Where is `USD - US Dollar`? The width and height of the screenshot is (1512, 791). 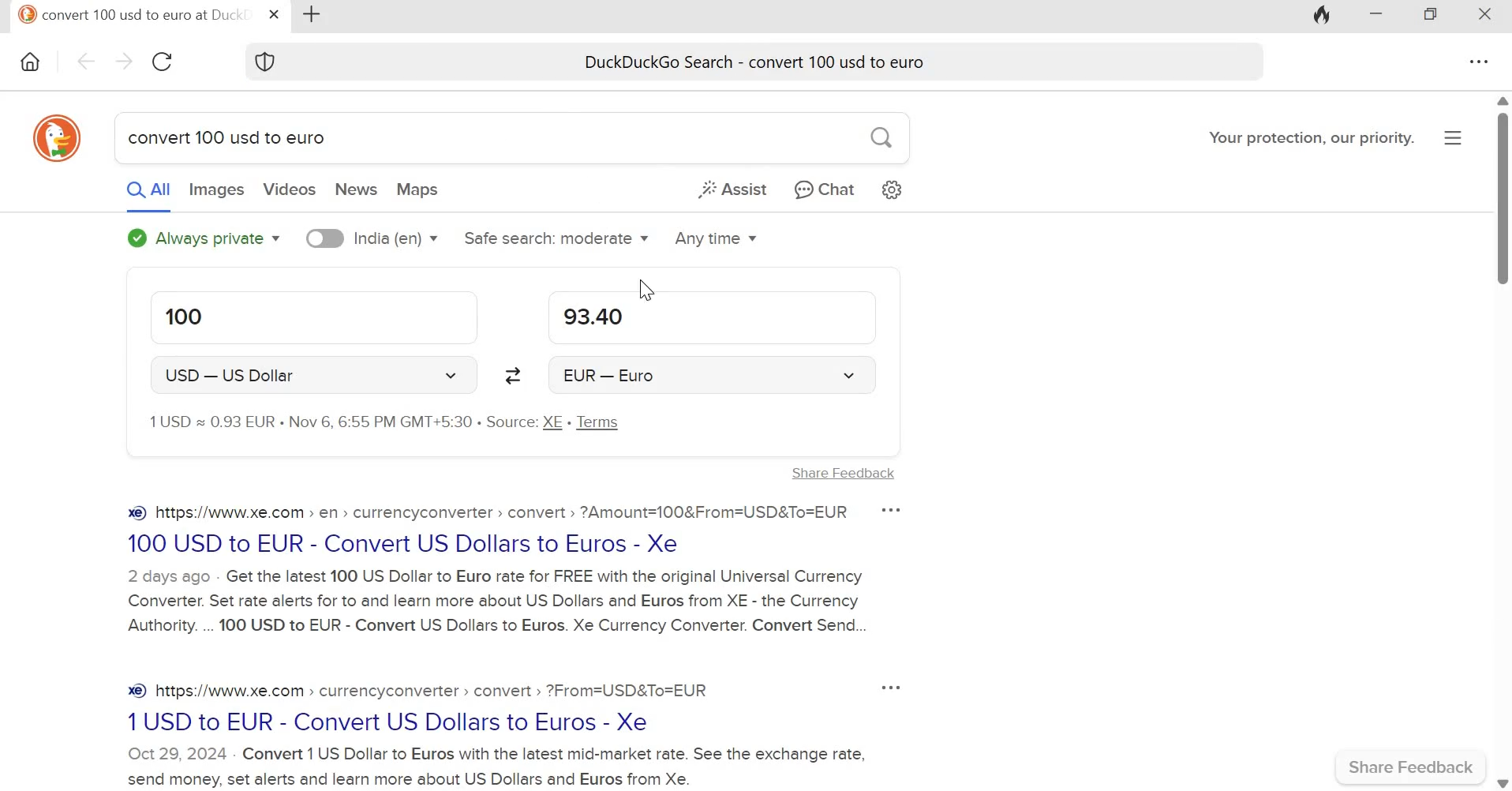 USD - US Dollar is located at coordinates (313, 375).